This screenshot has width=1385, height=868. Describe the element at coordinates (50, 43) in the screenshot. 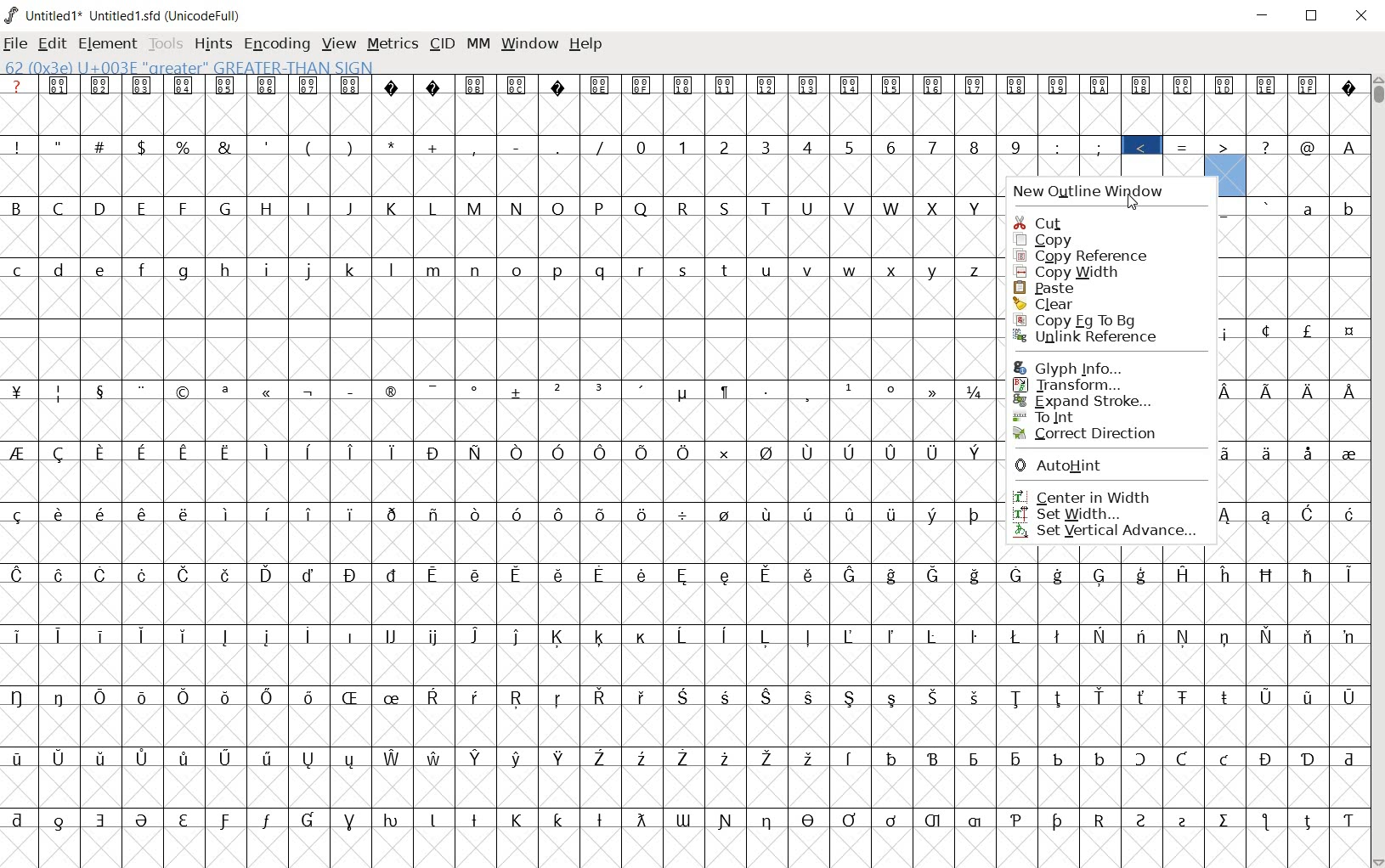

I see `edit` at that location.